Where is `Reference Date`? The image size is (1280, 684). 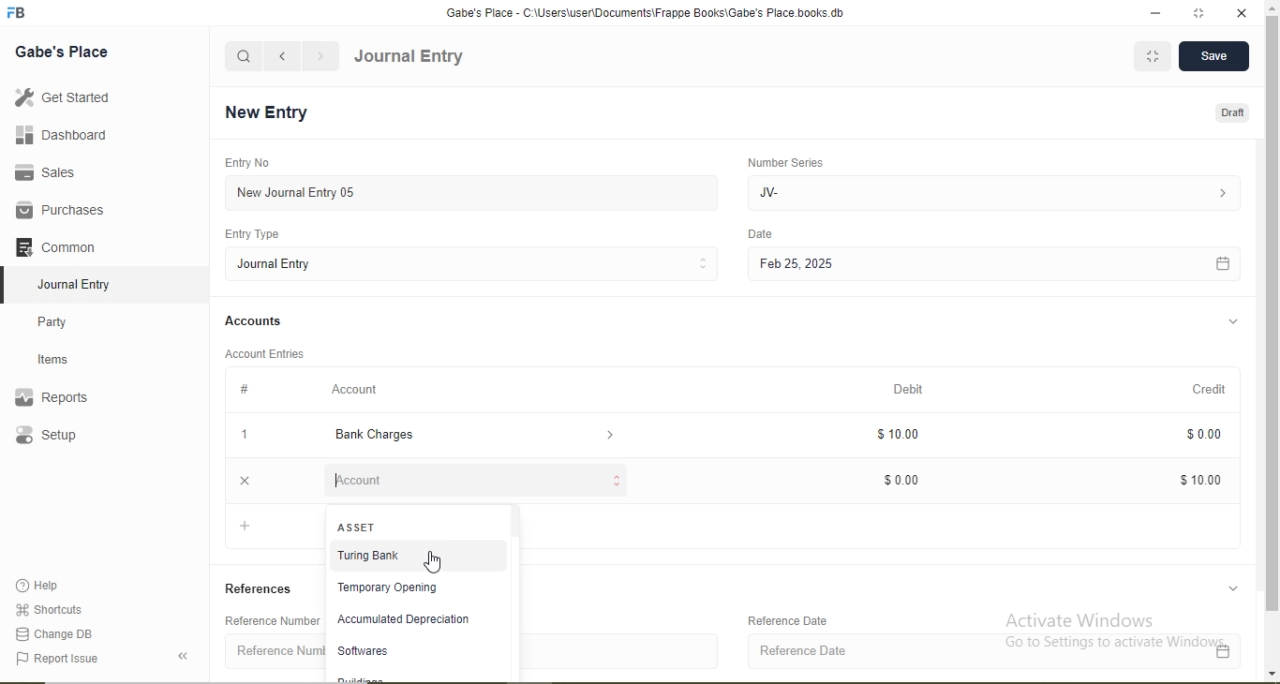 Reference Date is located at coordinates (801, 620).